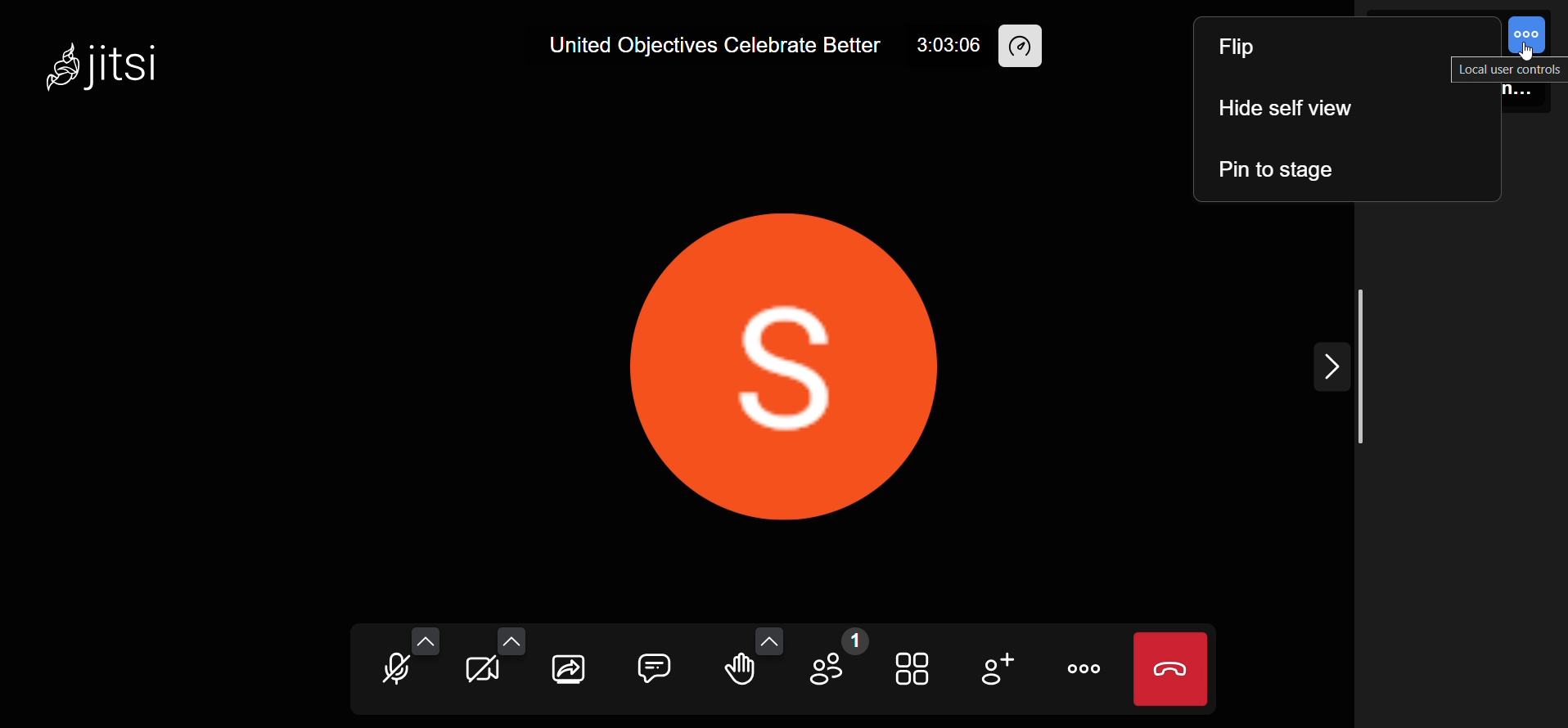  I want to click on participants, so click(834, 661).